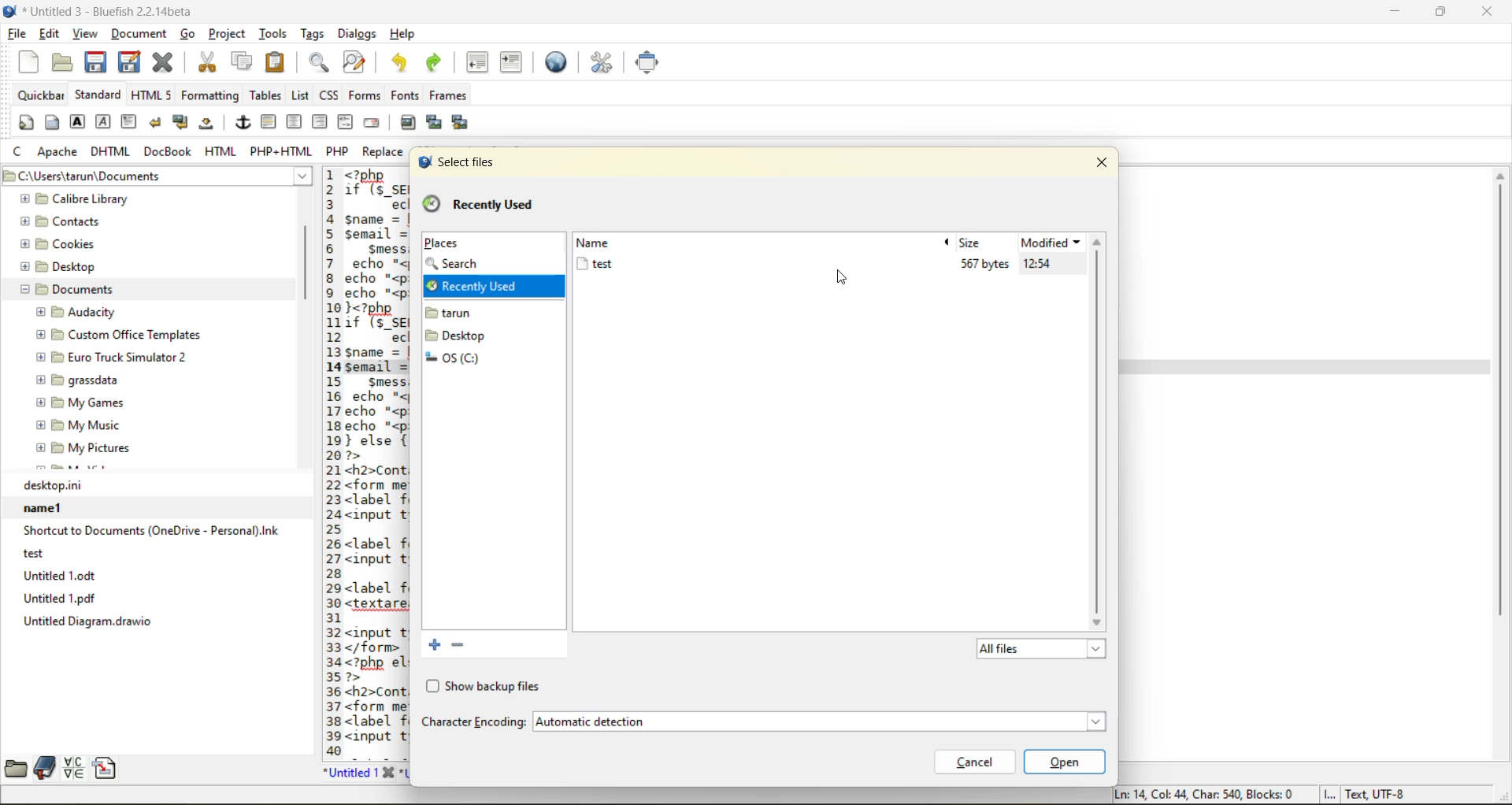  What do you see at coordinates (1492, 13) in the screenshot?
I see `close` at bounding box center [1492, 13].